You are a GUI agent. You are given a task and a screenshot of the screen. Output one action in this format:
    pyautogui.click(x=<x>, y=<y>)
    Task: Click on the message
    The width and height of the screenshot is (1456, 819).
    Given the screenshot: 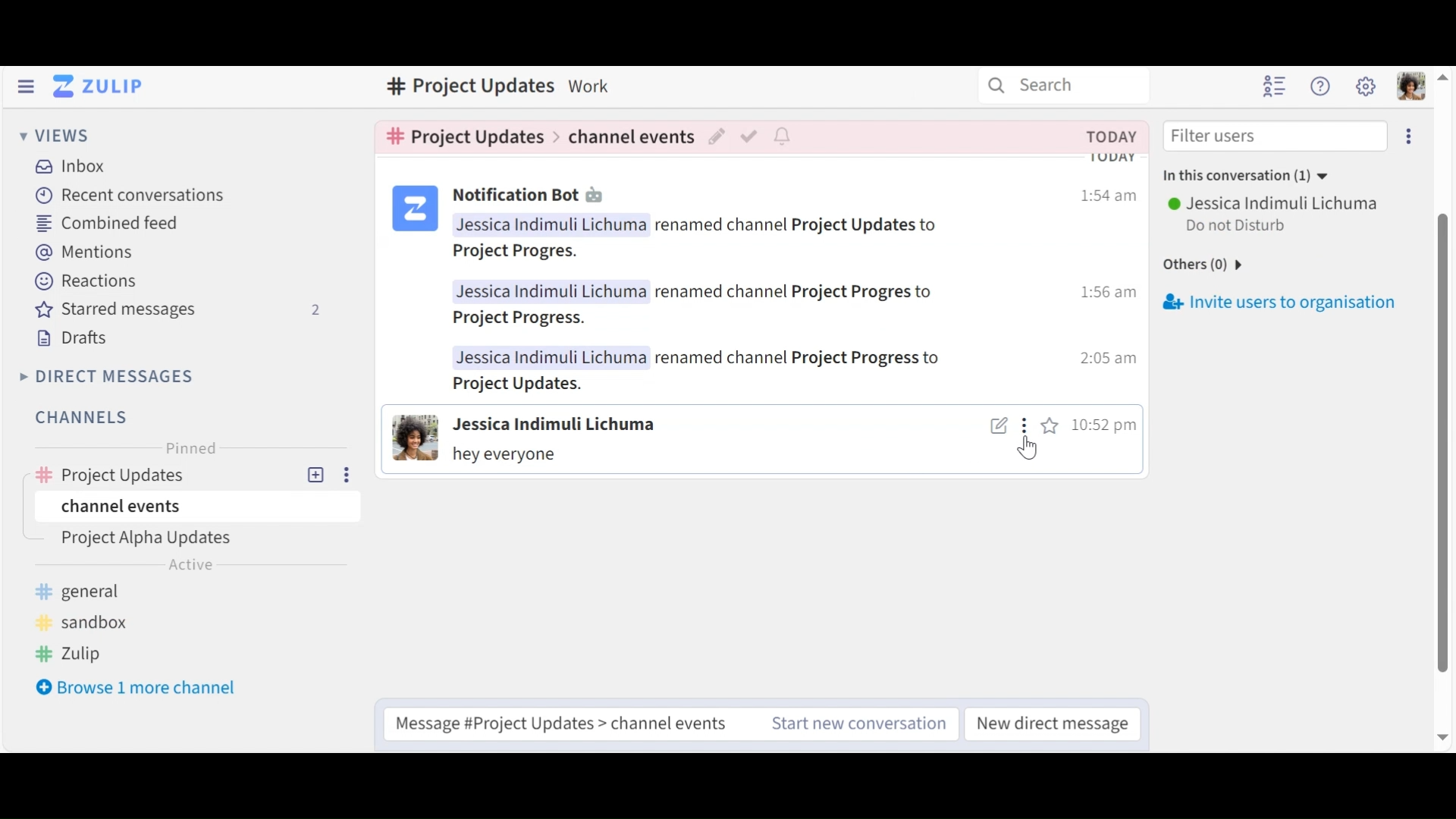 What is the action you would take?
    pyautogui.click(x=710, y=307)
    